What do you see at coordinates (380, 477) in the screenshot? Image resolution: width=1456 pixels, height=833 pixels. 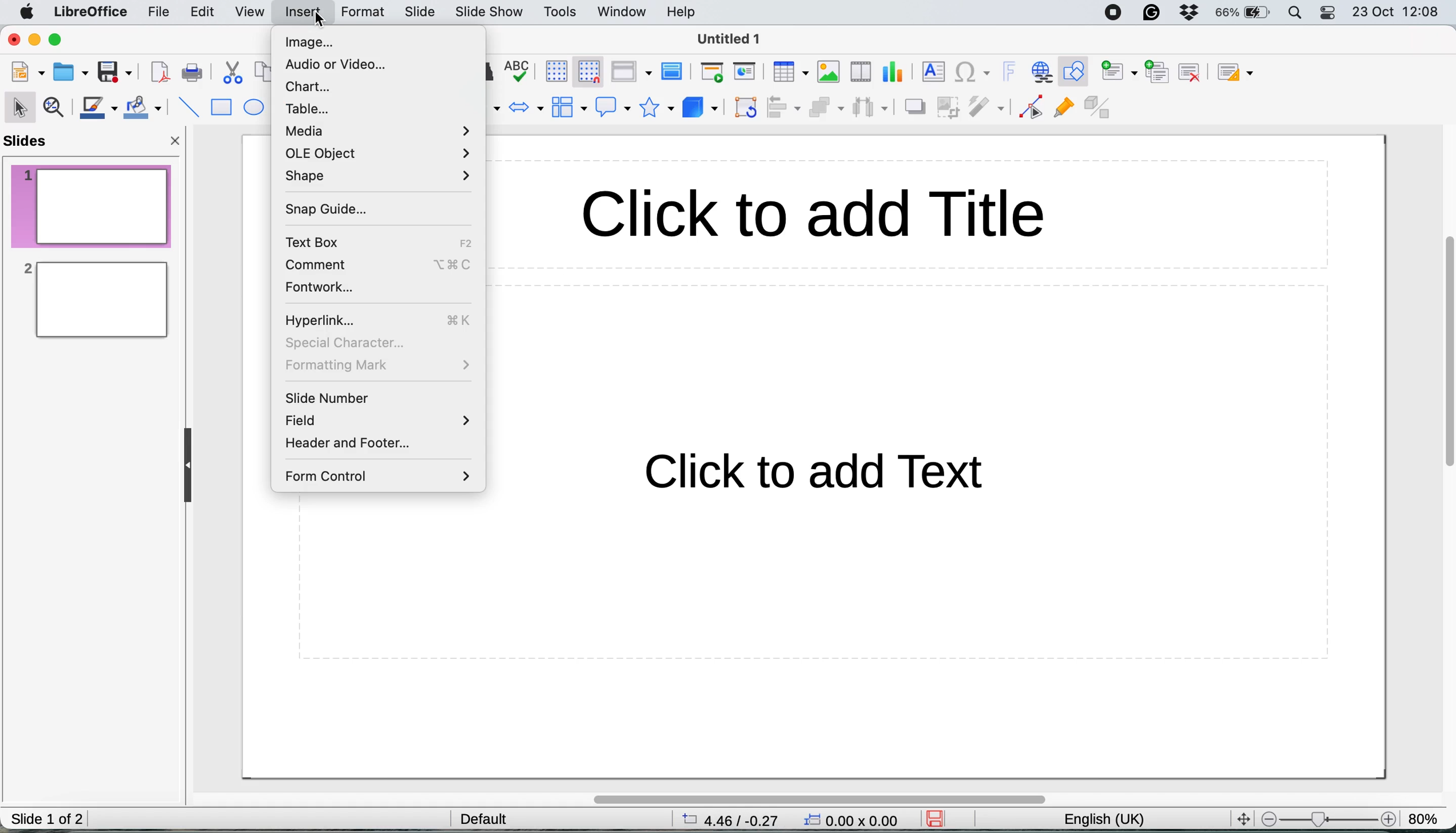 I see `form control` at bounding box center [380, 477].